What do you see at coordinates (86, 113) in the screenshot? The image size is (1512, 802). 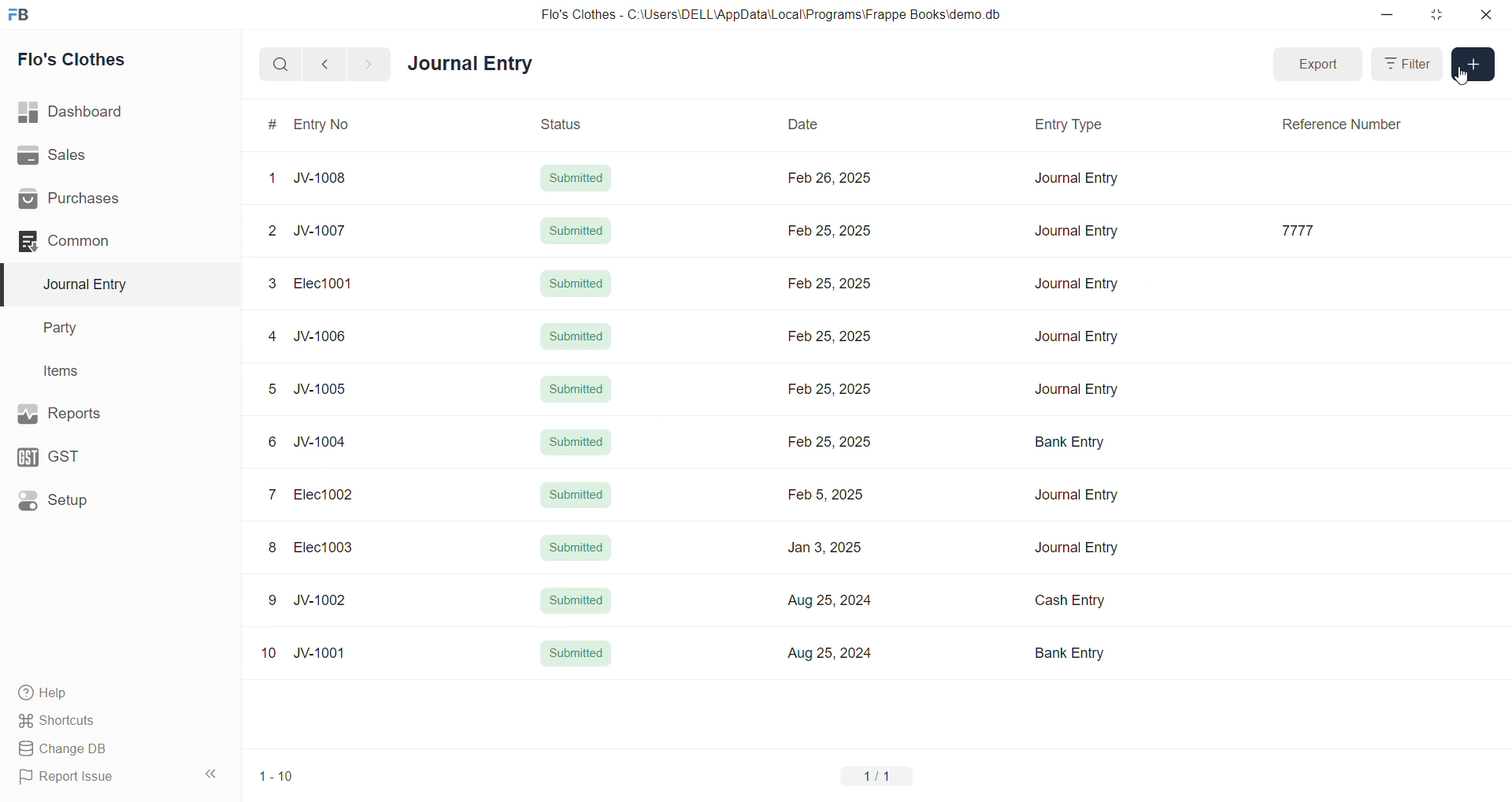 I see `| Dashboard` at bounding box center [86, 113].